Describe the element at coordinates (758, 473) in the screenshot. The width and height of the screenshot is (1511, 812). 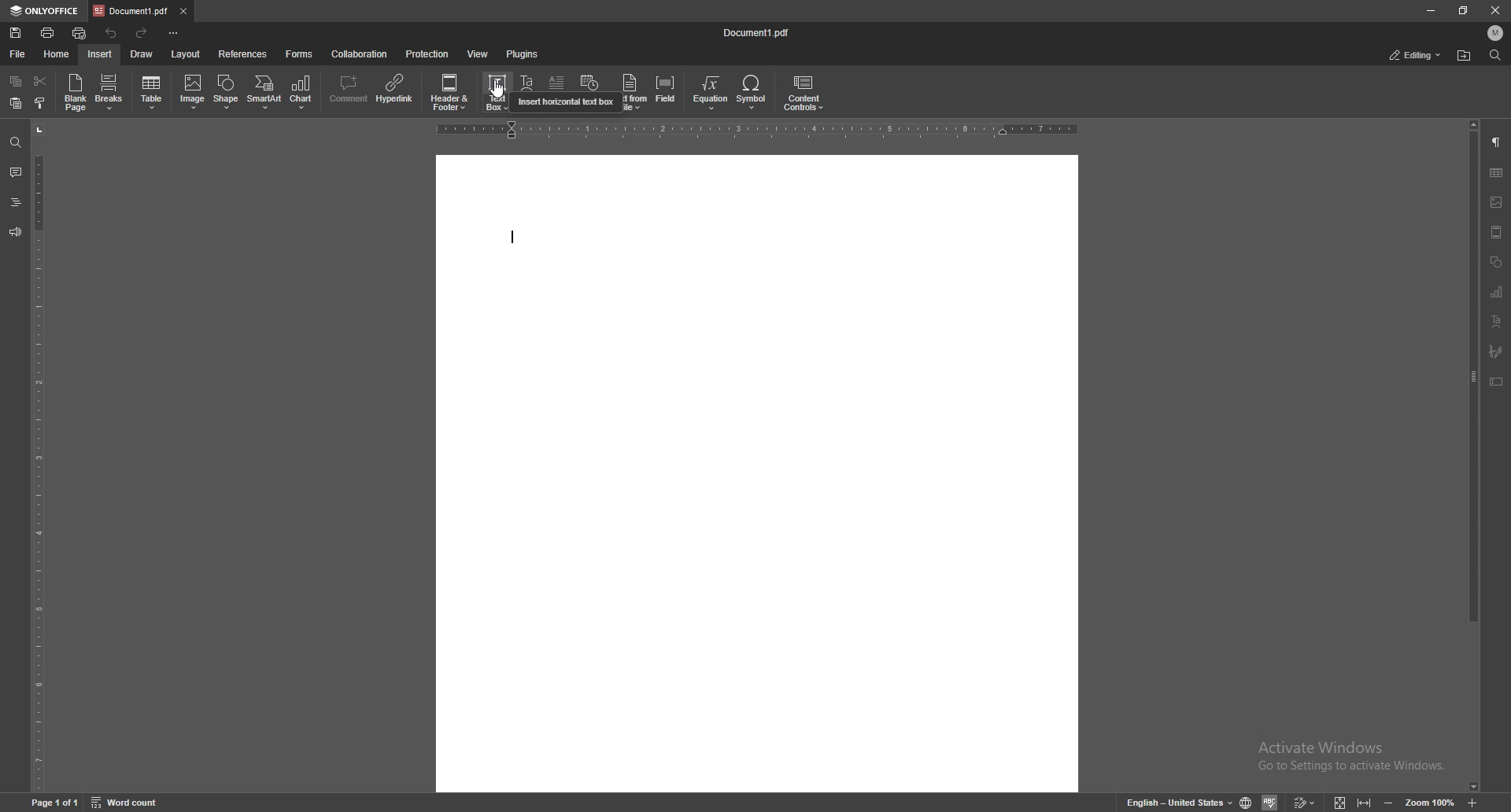
I see `doc` at that location.